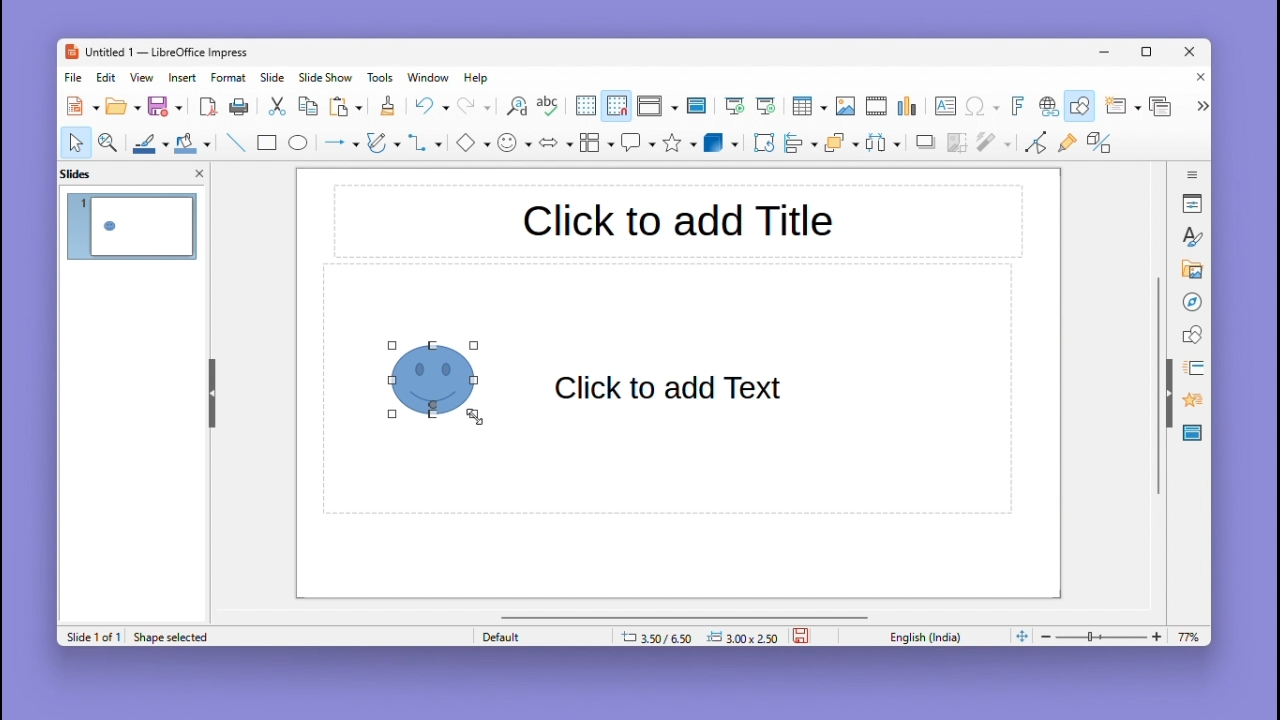  Describe the element at coordinates (992, 148) in the screenshot. I see `Filter` at that location.